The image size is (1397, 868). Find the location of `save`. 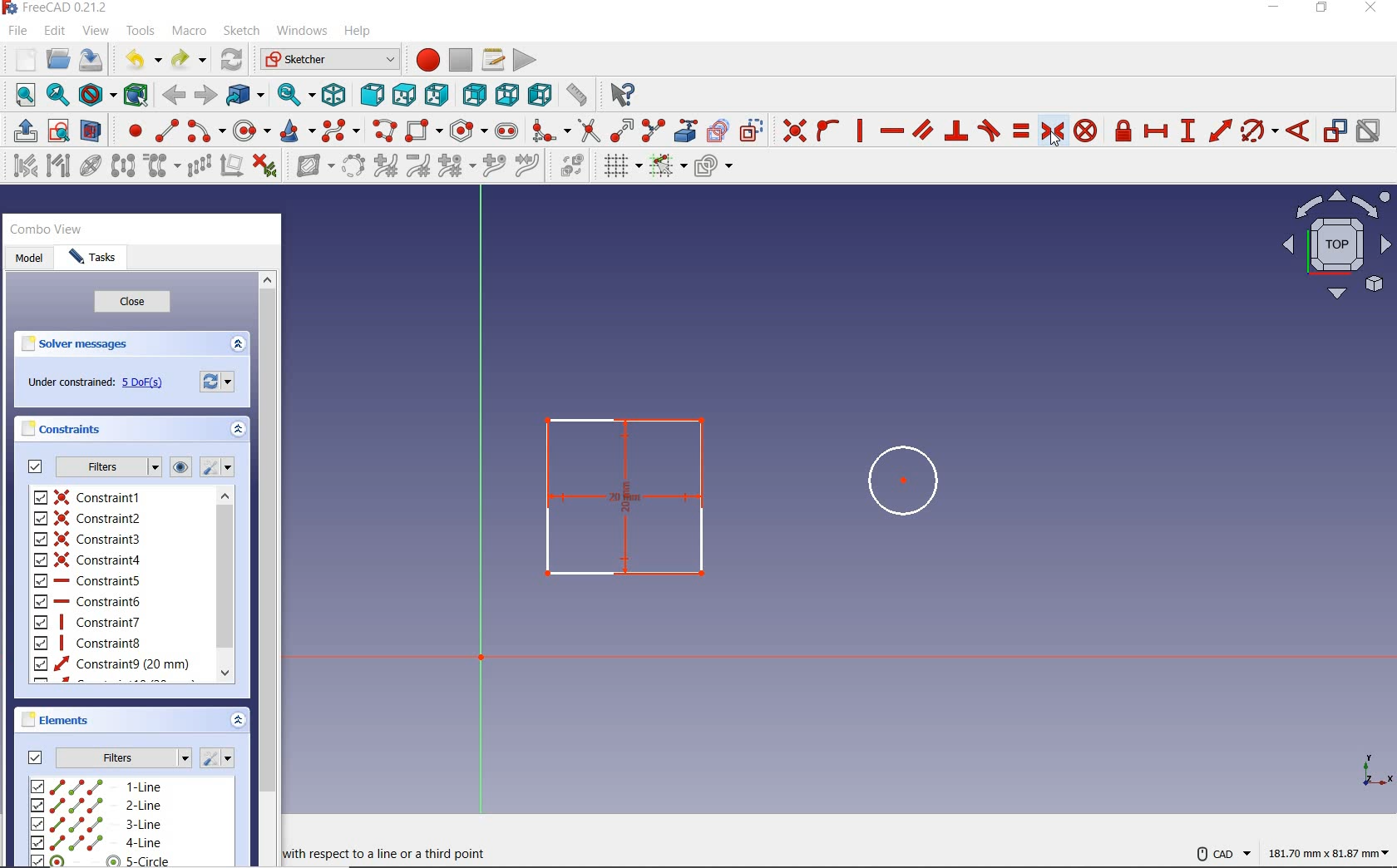

save is located at coordinates (93, 60).